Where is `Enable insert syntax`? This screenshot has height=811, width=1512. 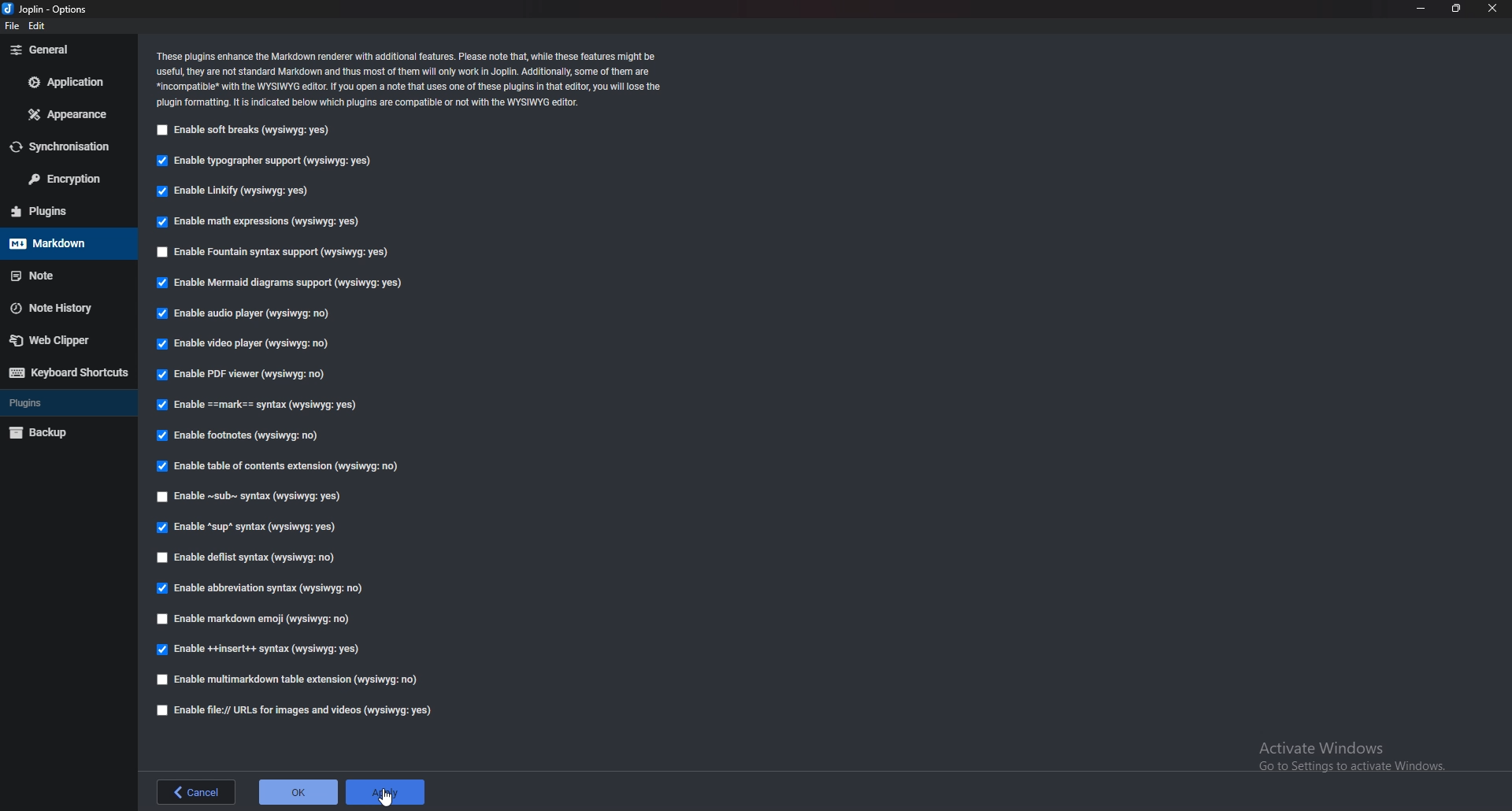
Enable insert syntax is located at coordinates (260, 649).